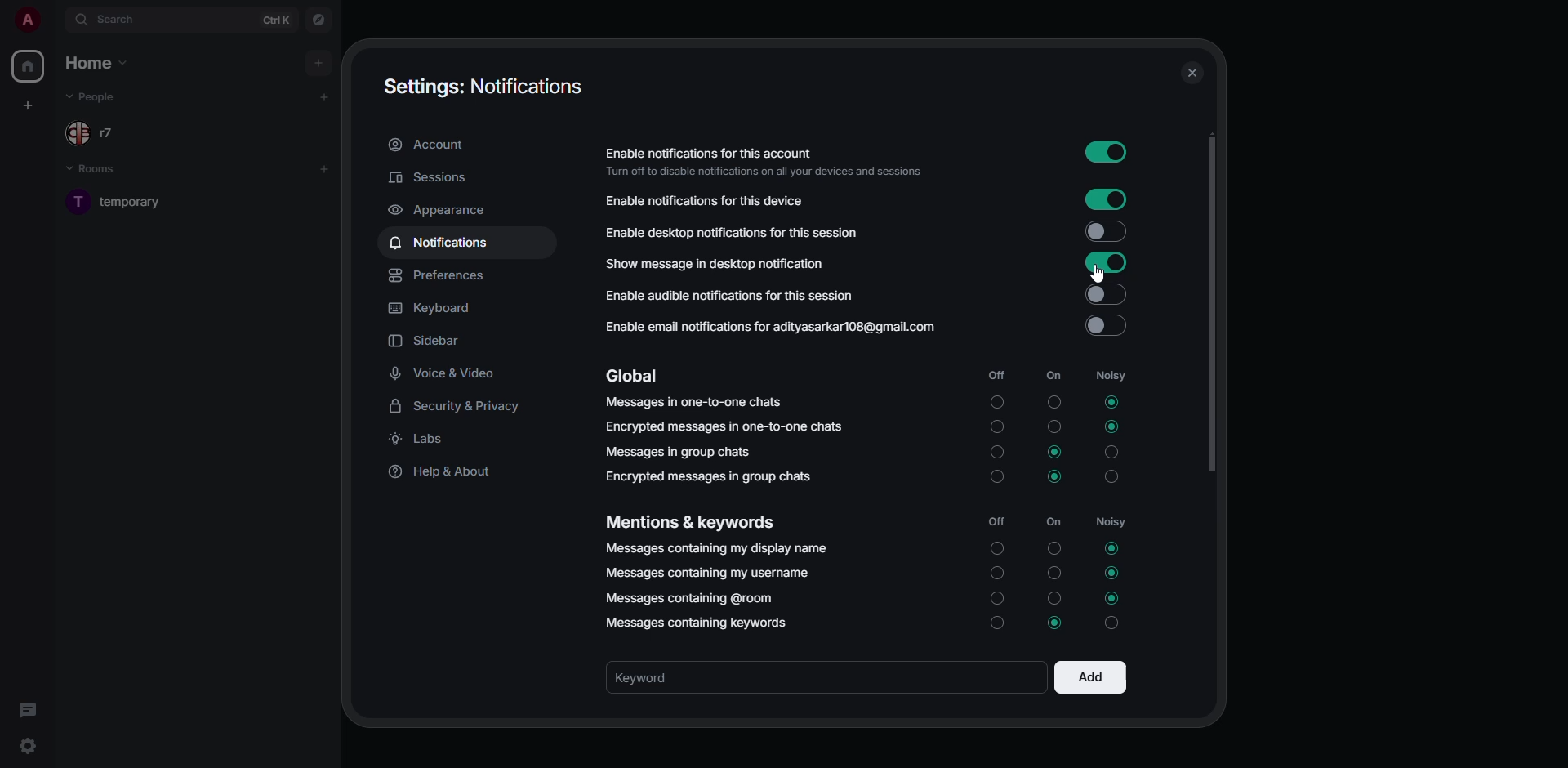 This screenshot has width=1568, height=768. I want to click on expand, so click(55, 19).